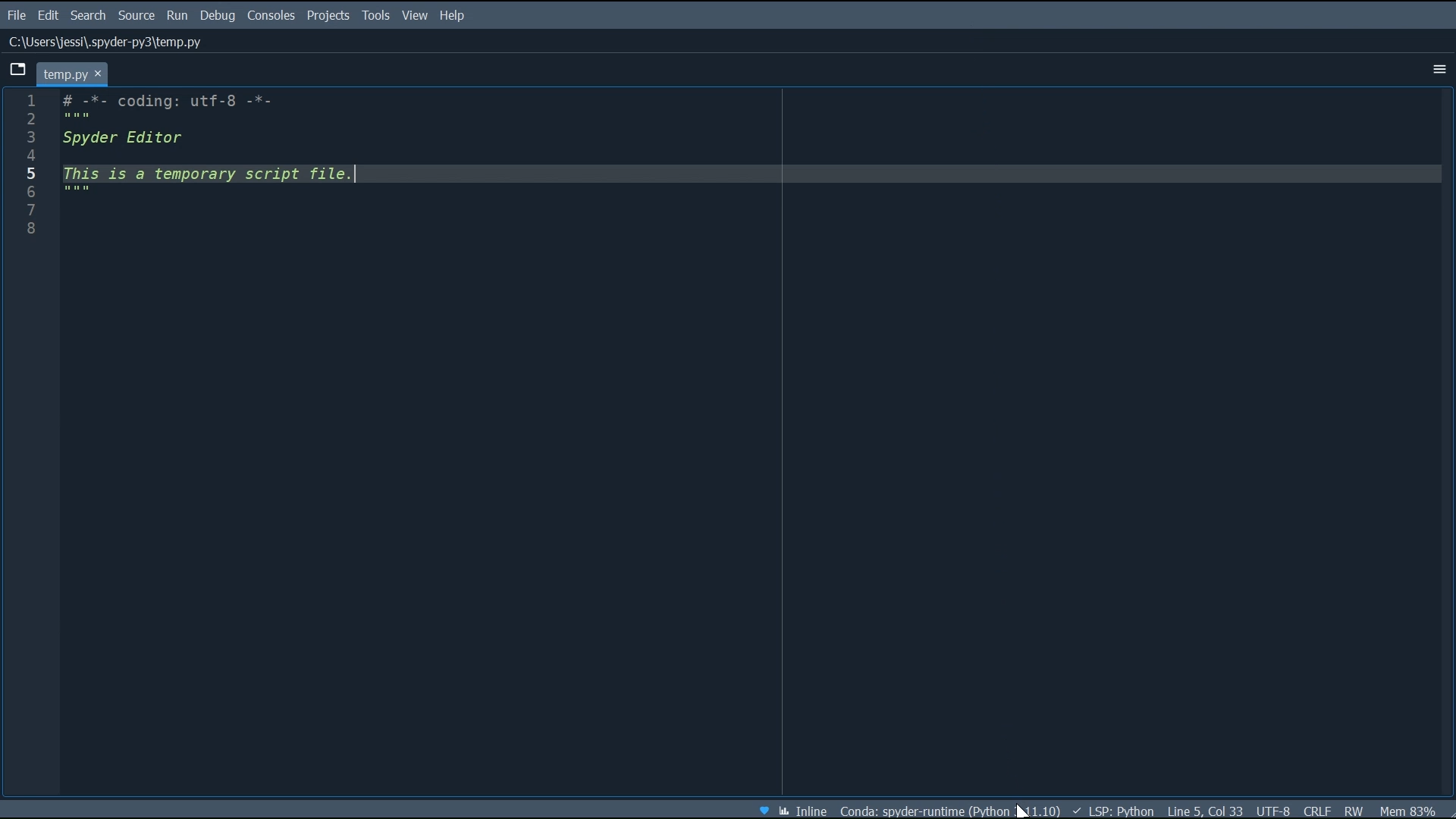 The height and width of the screenshot is (819, 1456). I want to click on Source, so click(137, 16).